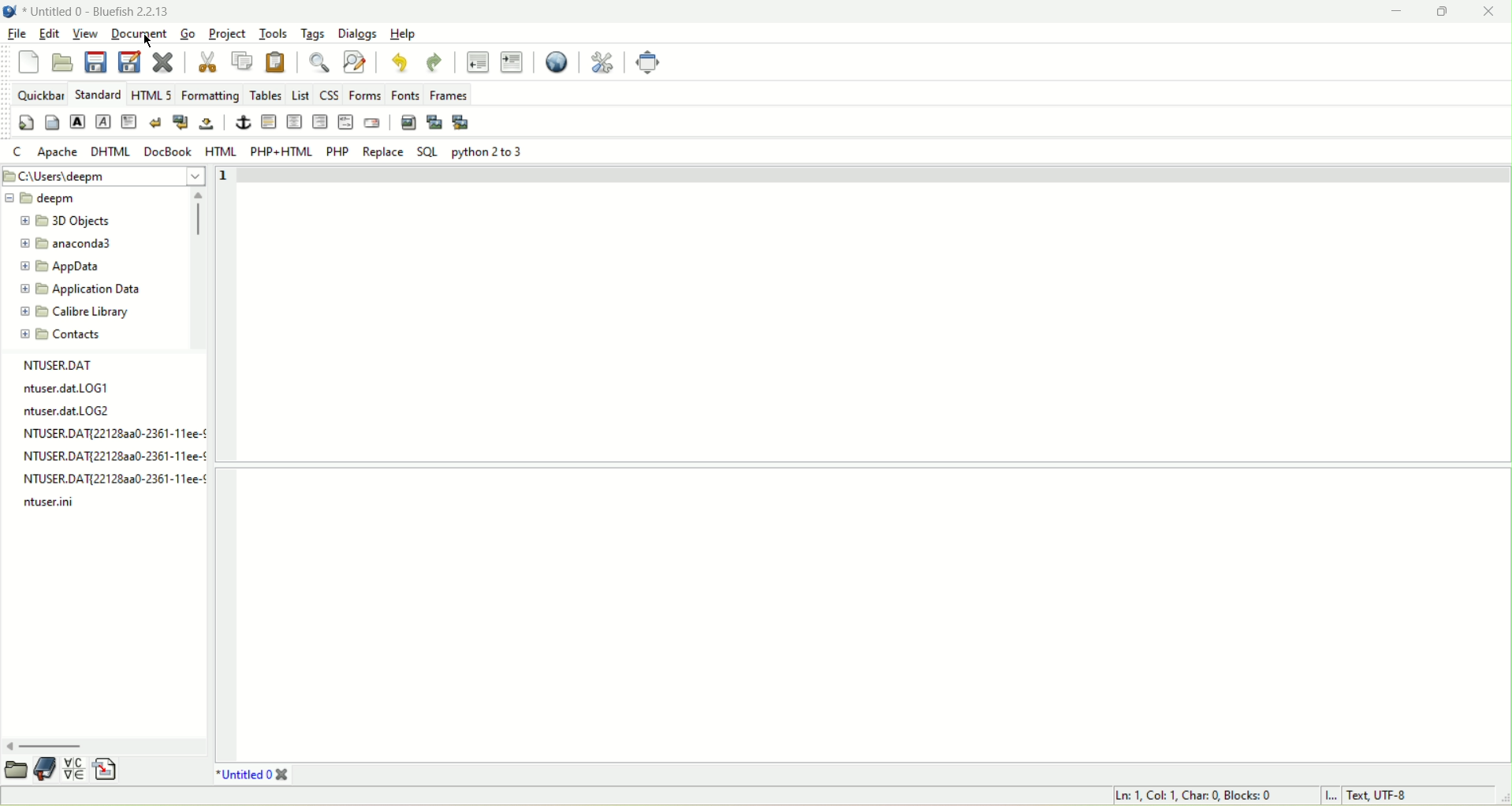 This screenshot has width=1512, height=806. Describe the element at coordinates (438, 122) in the screenshot. I see `insert plugin` at that location.